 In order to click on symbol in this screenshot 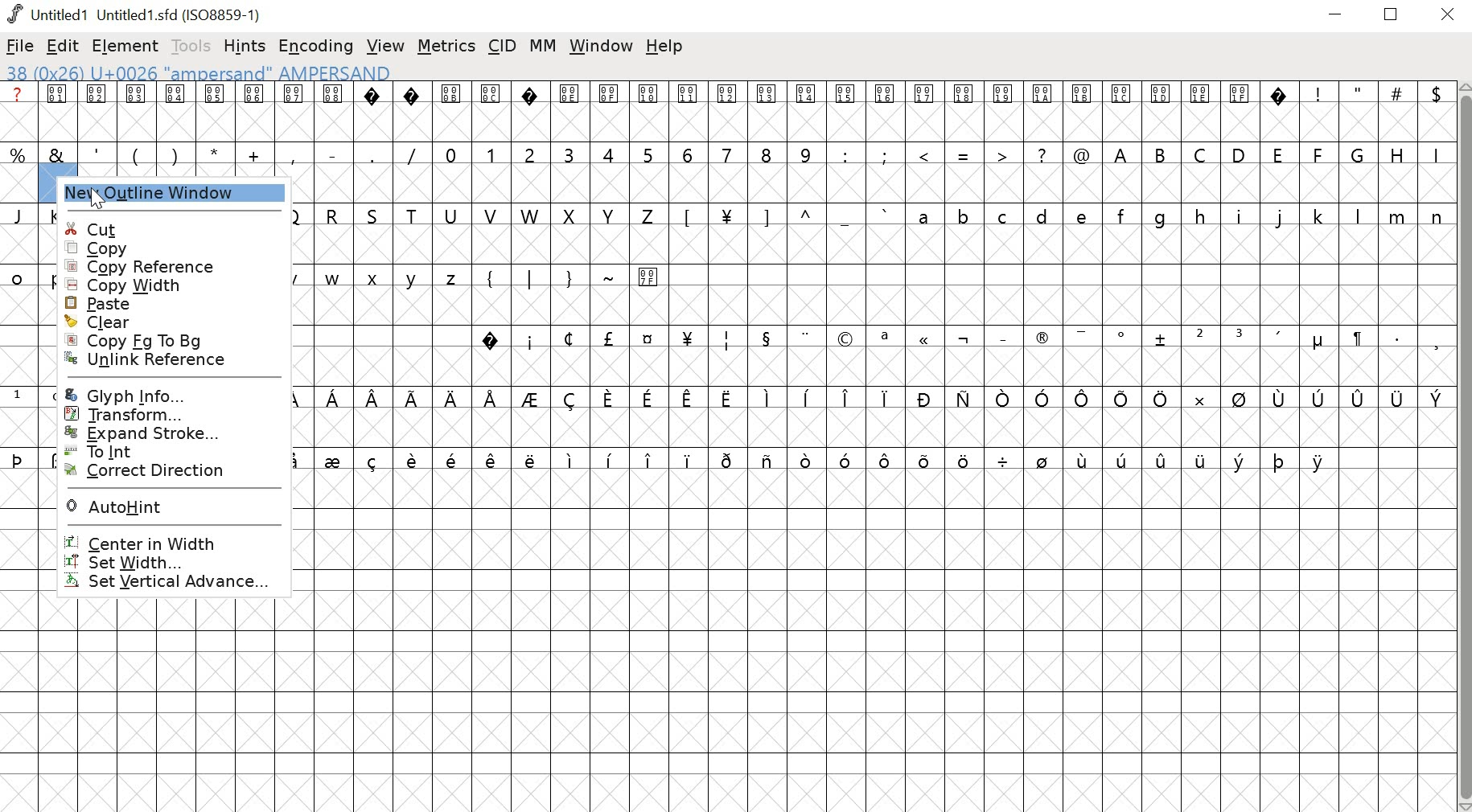, I will do `click(414, 458)`.